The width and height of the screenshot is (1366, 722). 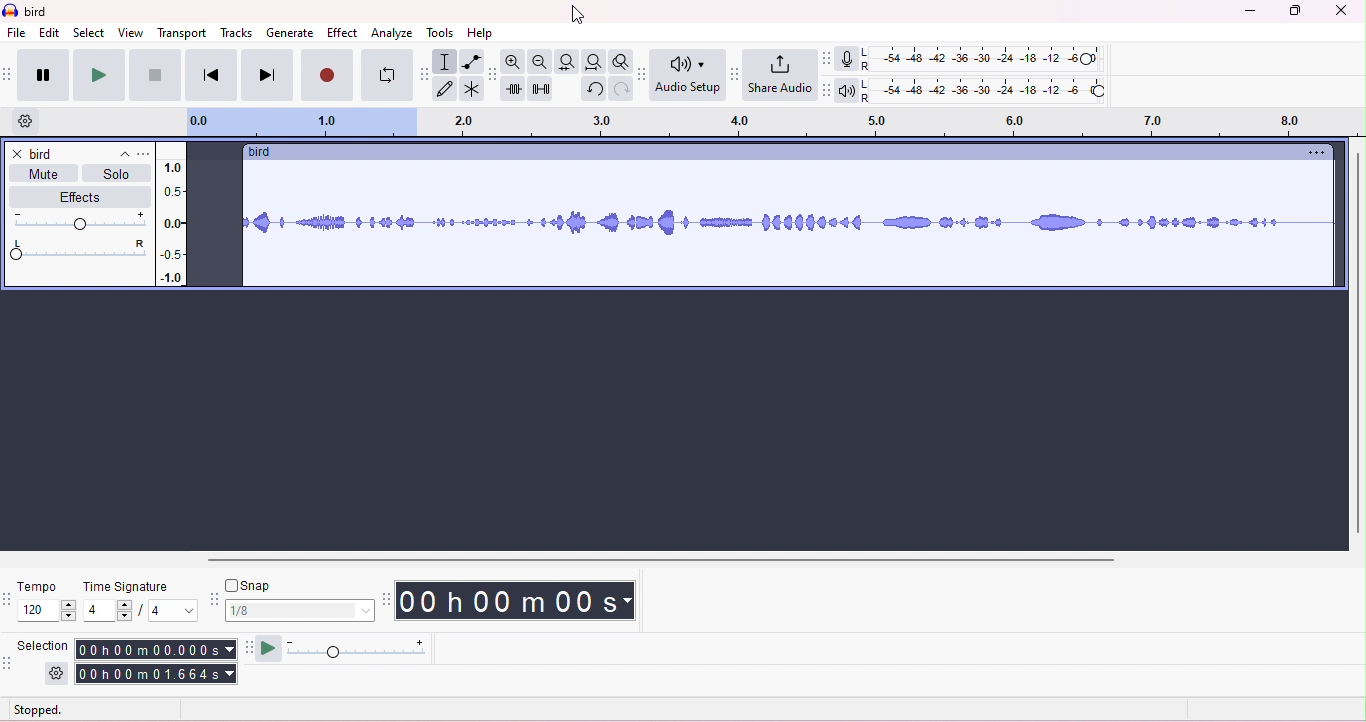 What do you see at coordinates (9, 599) in the screenshot?
I see `tempo tool bar` at bounding box center [9, 599].